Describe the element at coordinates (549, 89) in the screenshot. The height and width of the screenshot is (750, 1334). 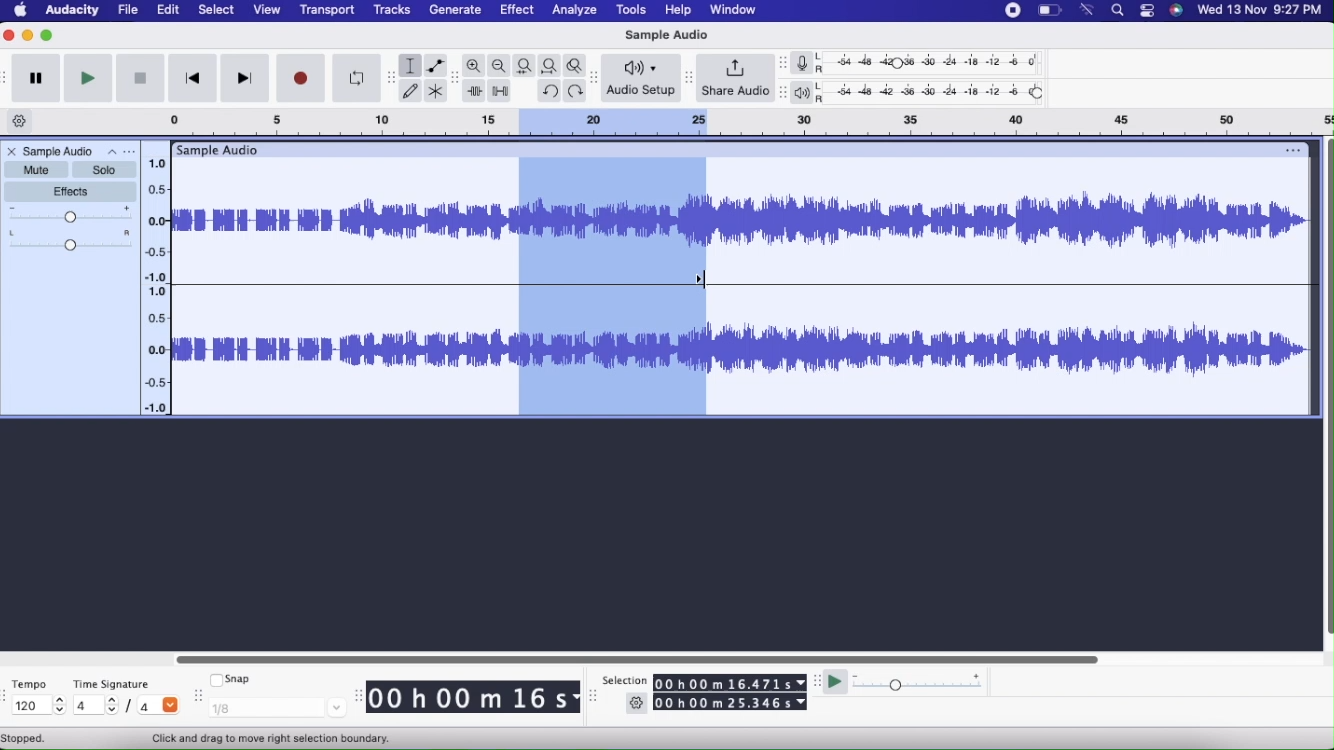
I see `Undo` at that location.